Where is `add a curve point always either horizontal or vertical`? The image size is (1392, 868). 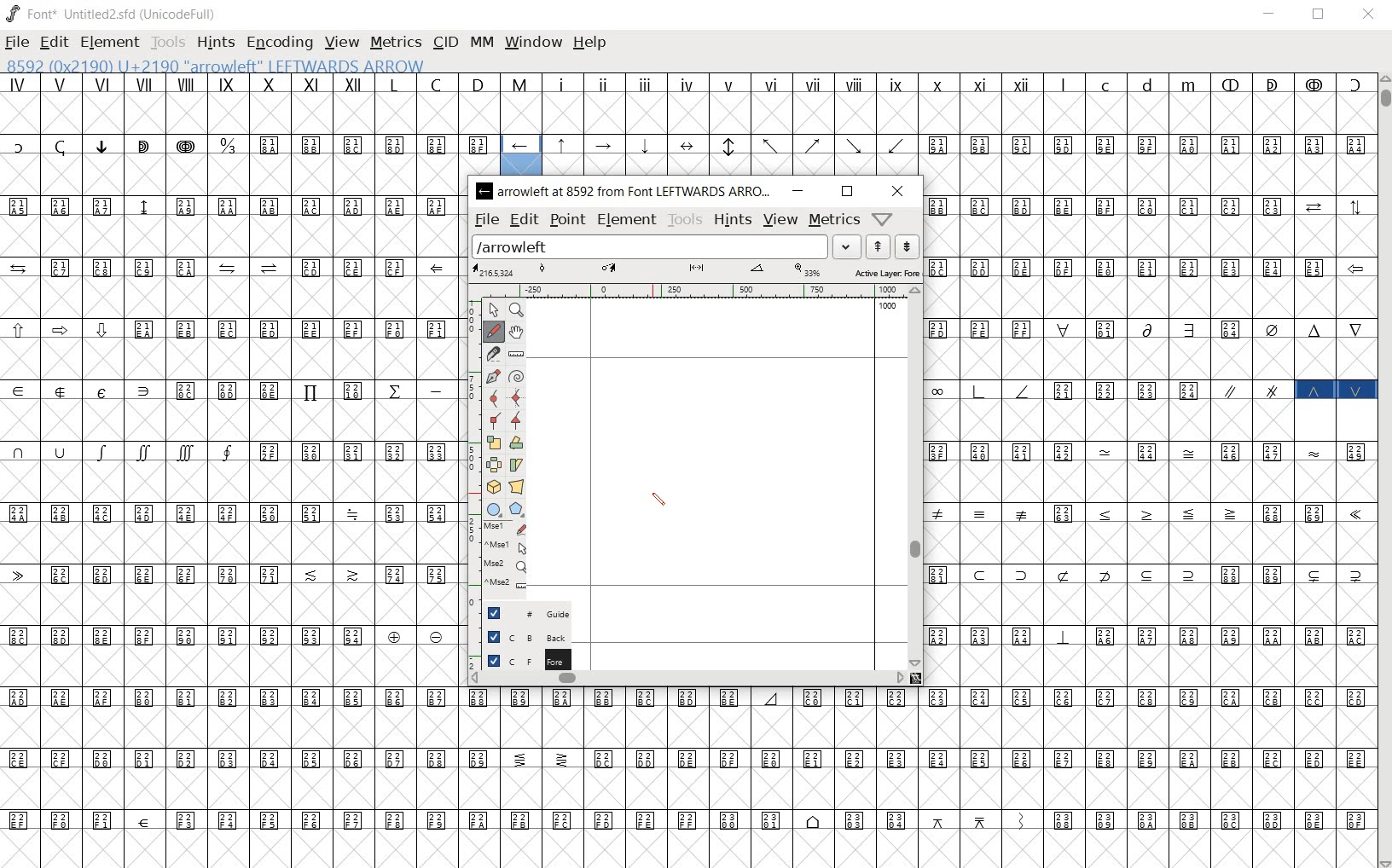 add a curve point always either horizontal or vertical is located at coordinates (517, 396).